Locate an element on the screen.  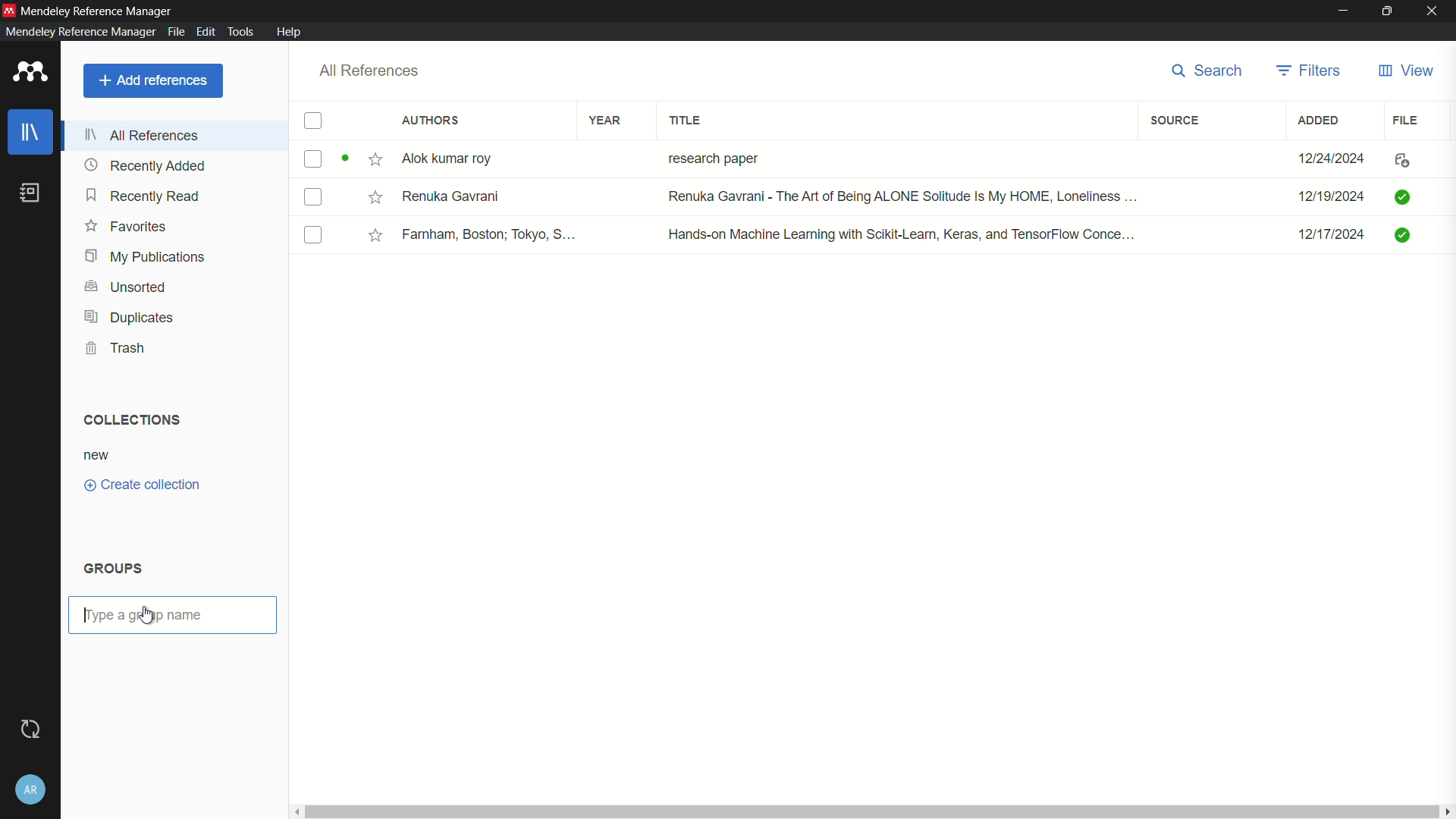
groups is located at coordinates (115, 569).